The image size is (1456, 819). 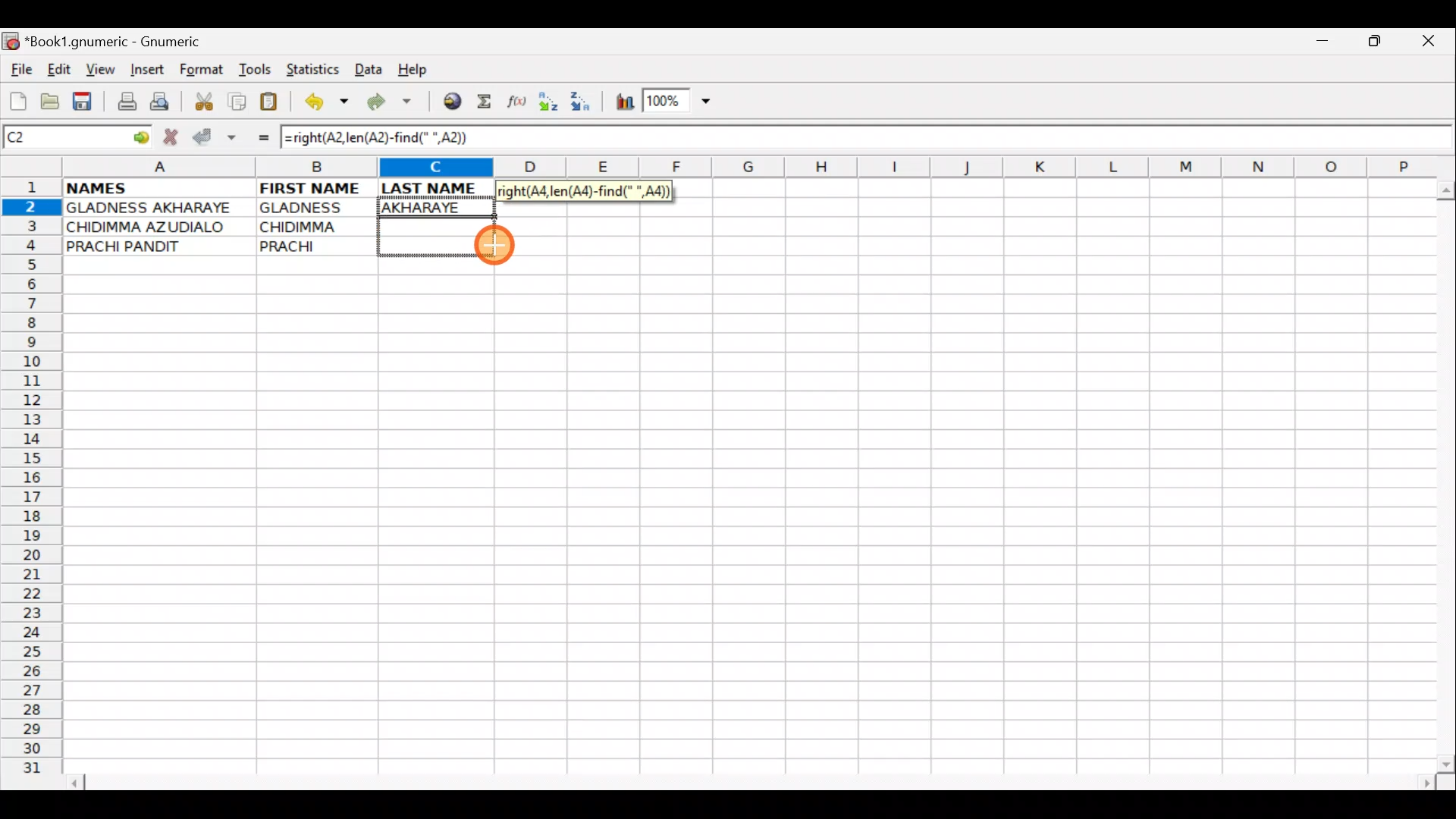 I want to click on AKHARAYE, so click(x=438, y=207).